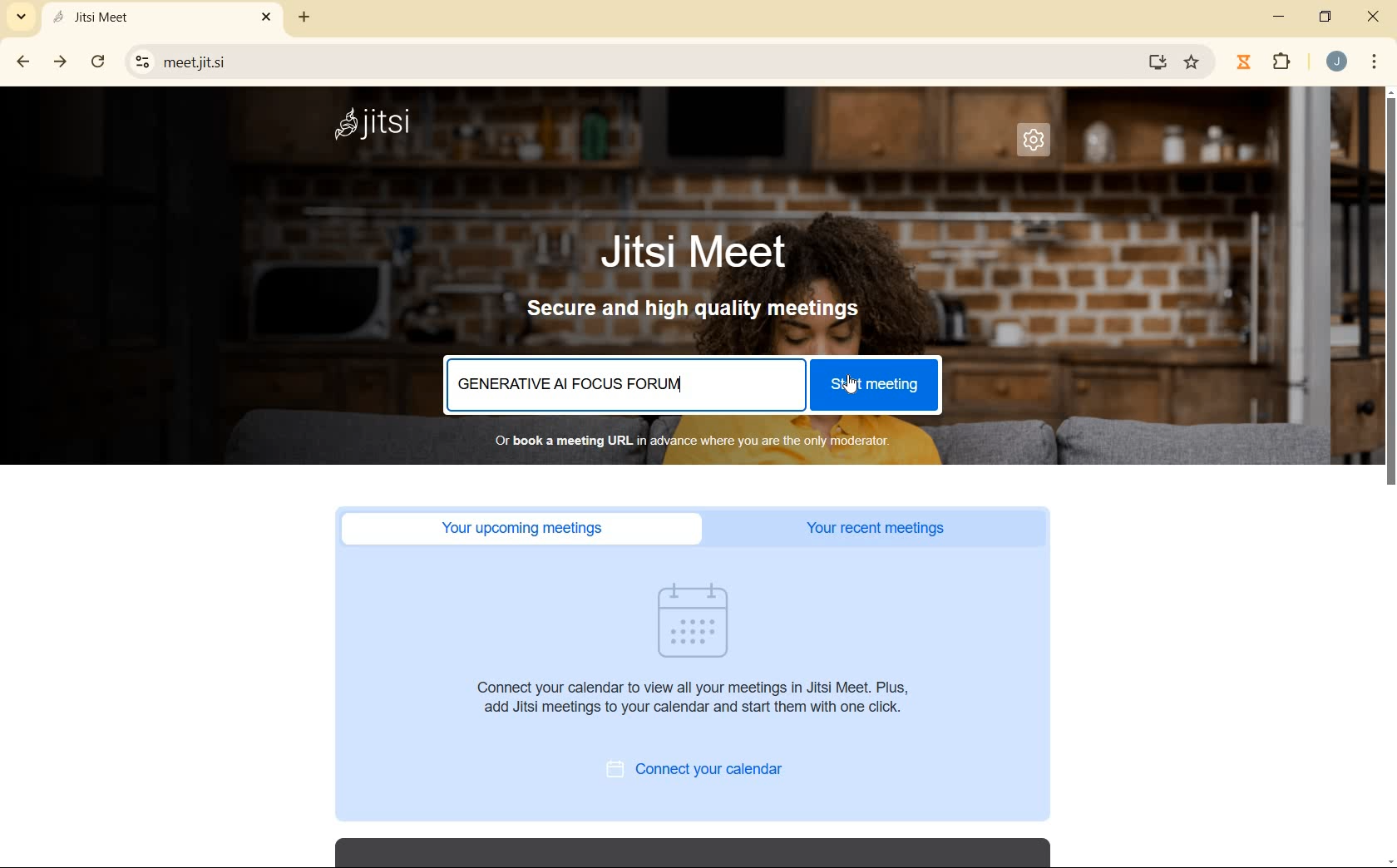 The image size is (1397, 868). I want to click on Your upcoming meetings, so click(526, 528).